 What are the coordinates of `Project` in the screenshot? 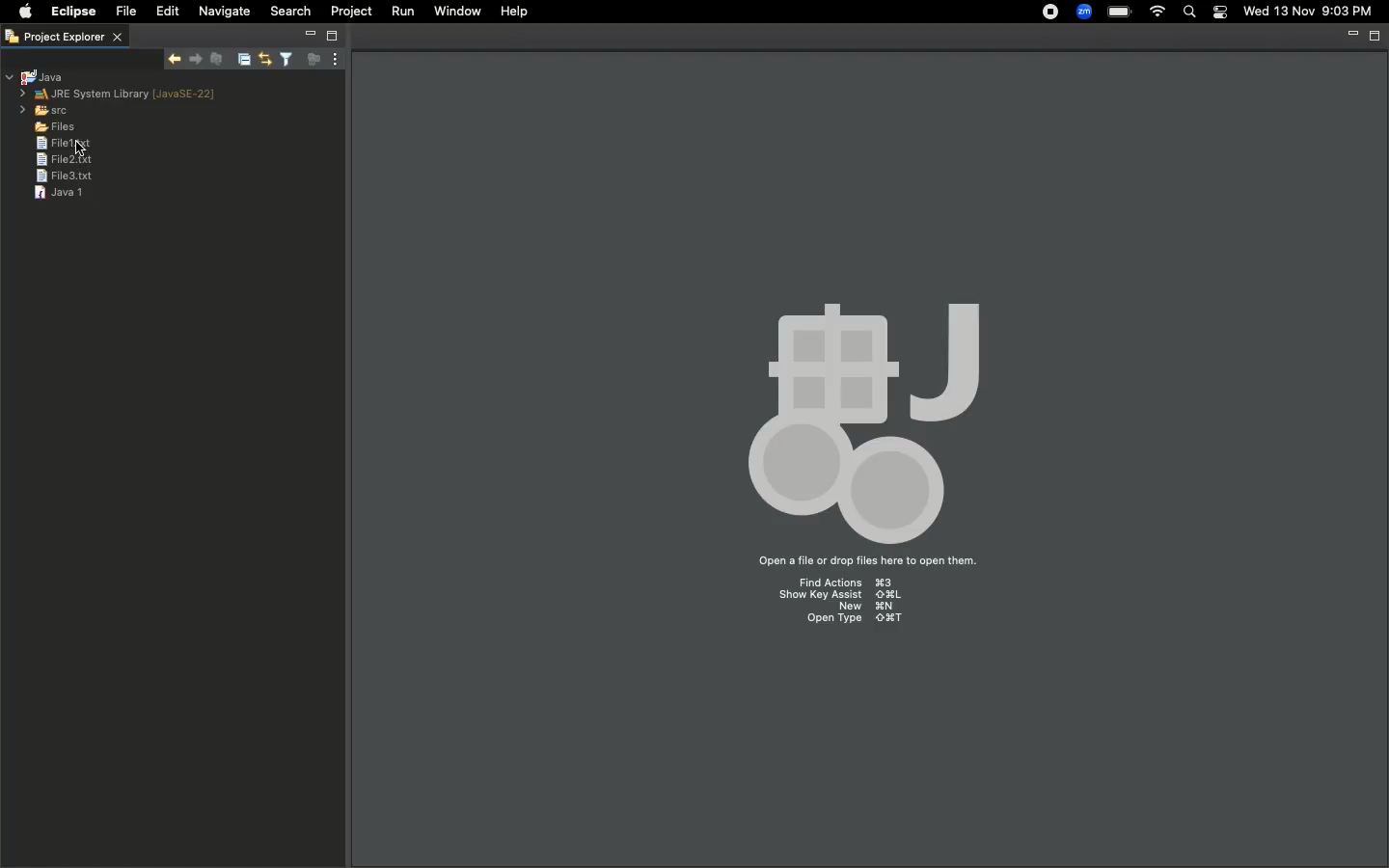 It's located at (352, 12).